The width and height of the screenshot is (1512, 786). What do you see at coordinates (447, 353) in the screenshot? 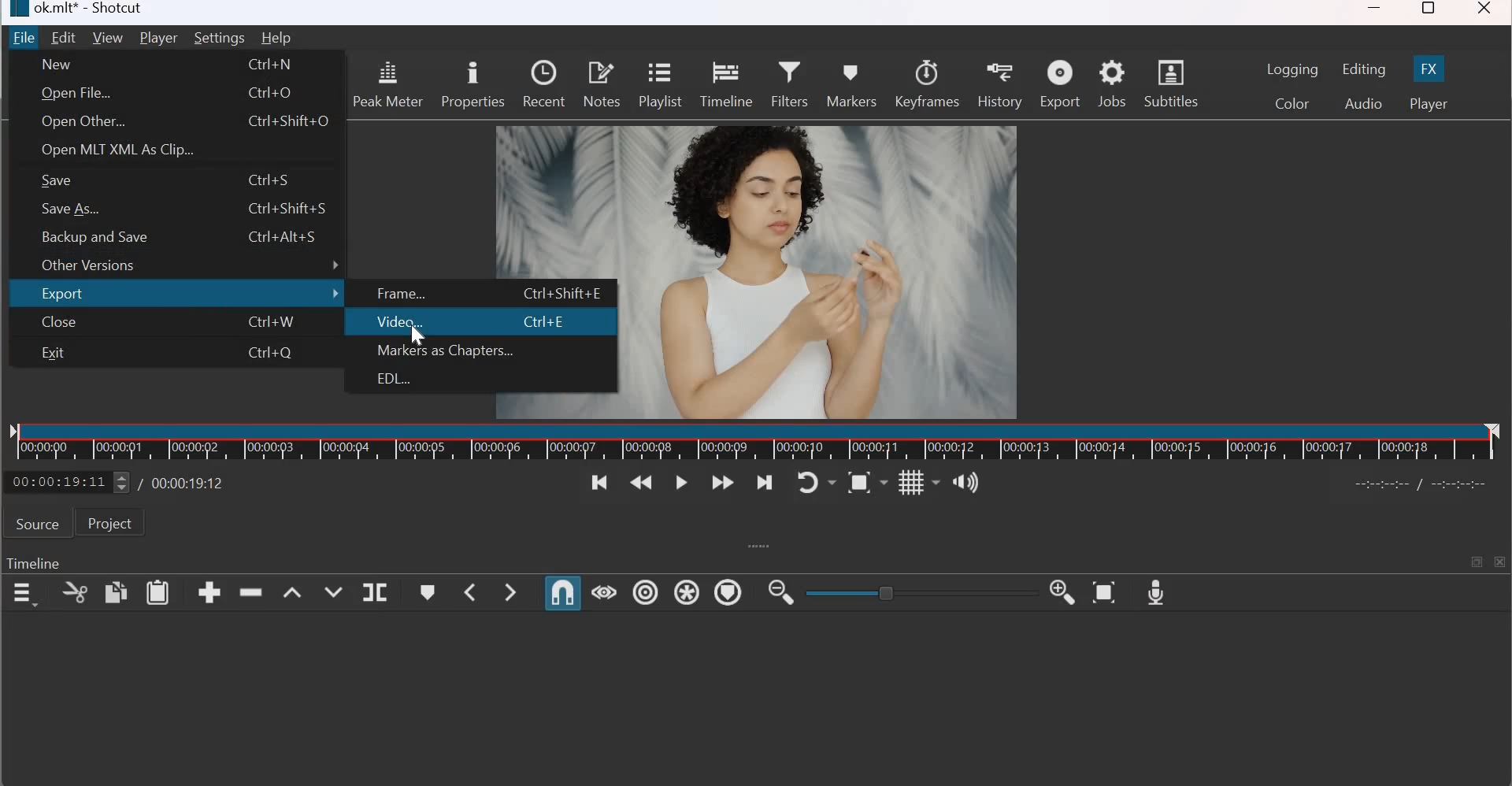
I see `Markers as chapters` at bounding box center [447, 353].